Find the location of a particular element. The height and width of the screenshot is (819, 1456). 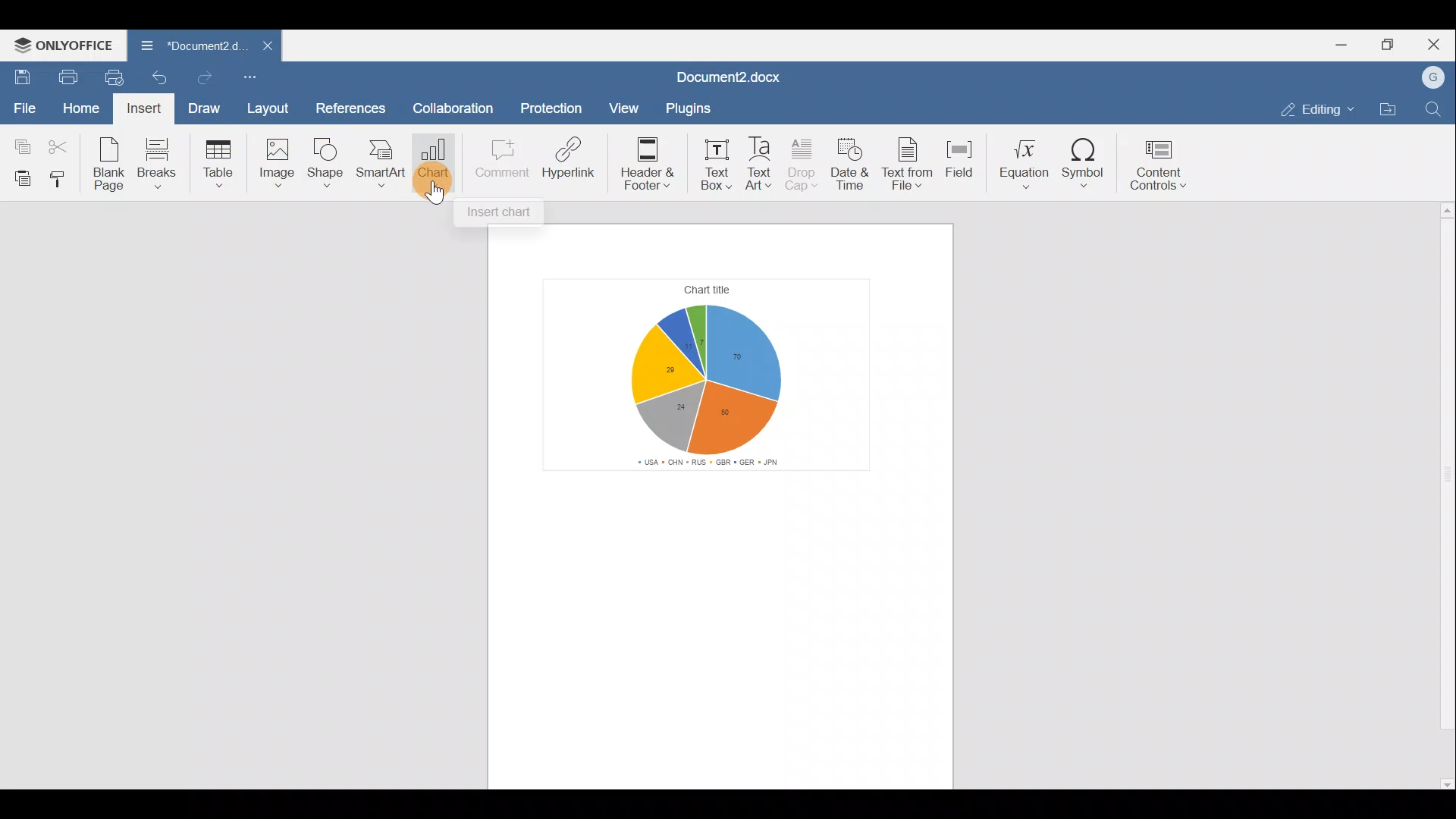

Work area is located at coordinates (725, 654).